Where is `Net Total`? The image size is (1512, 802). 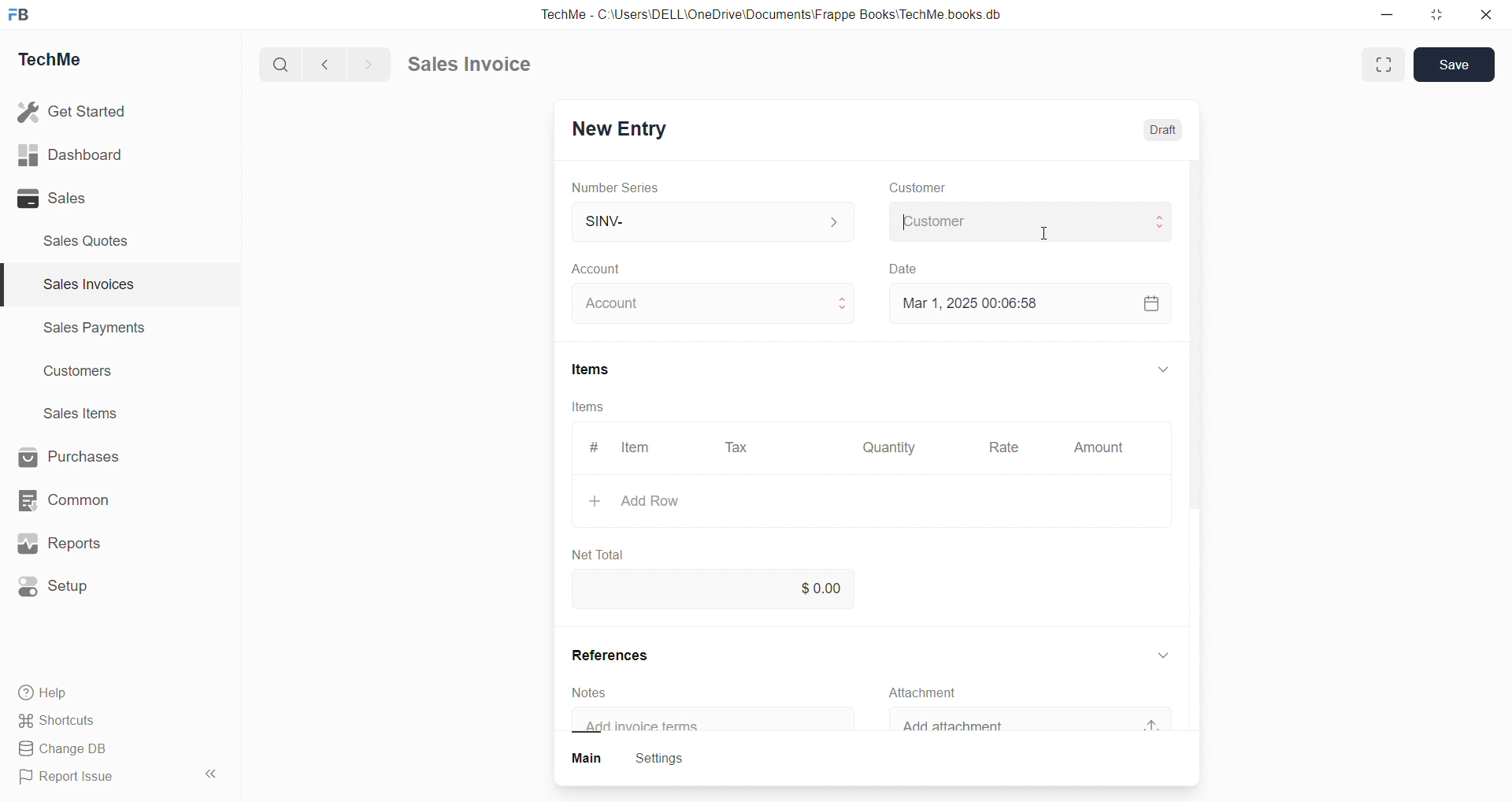
Net Total is located at coordinates (607, 550).